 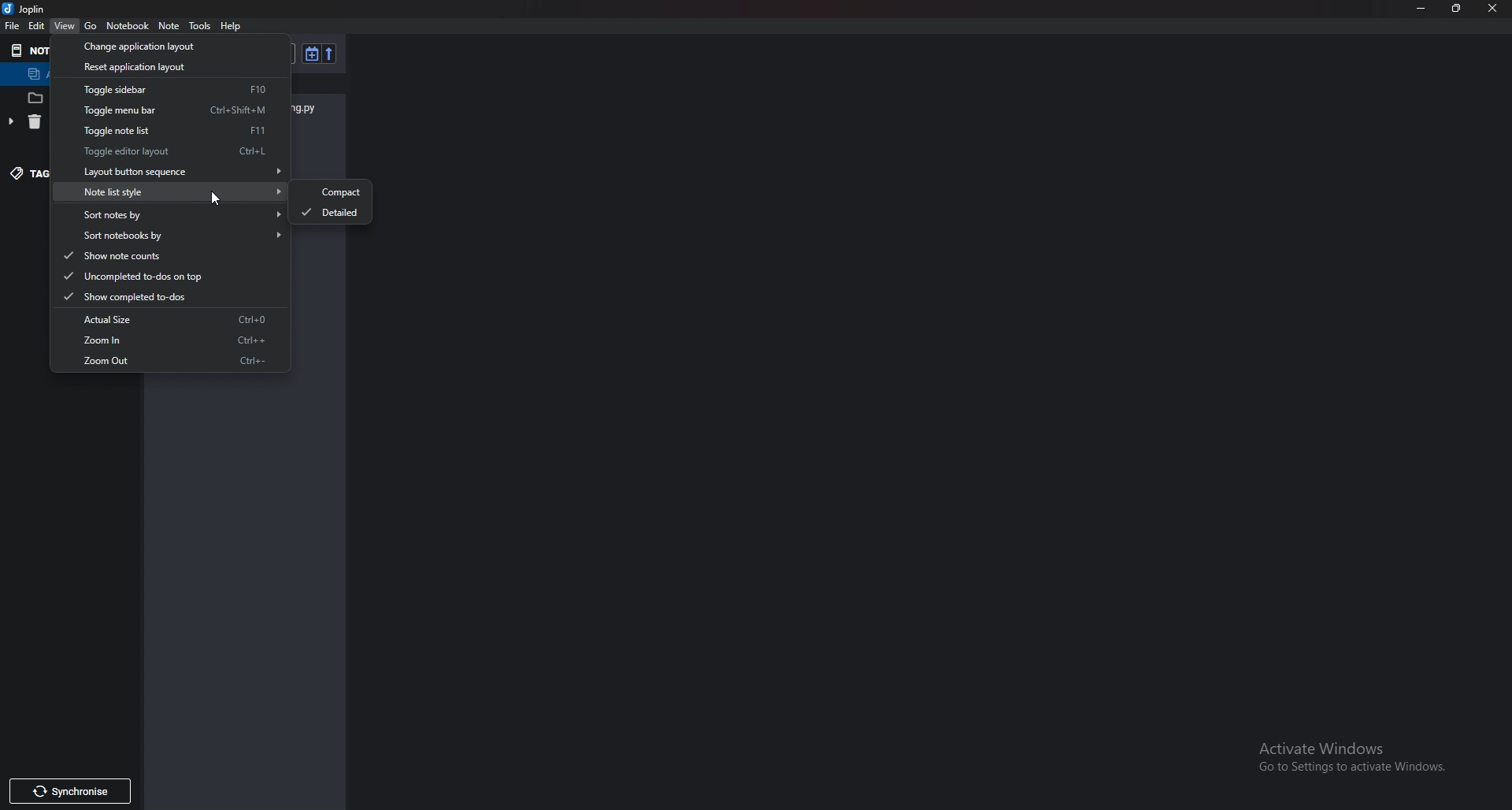 I want to click on Synchronize, so click(x=69, y=793).